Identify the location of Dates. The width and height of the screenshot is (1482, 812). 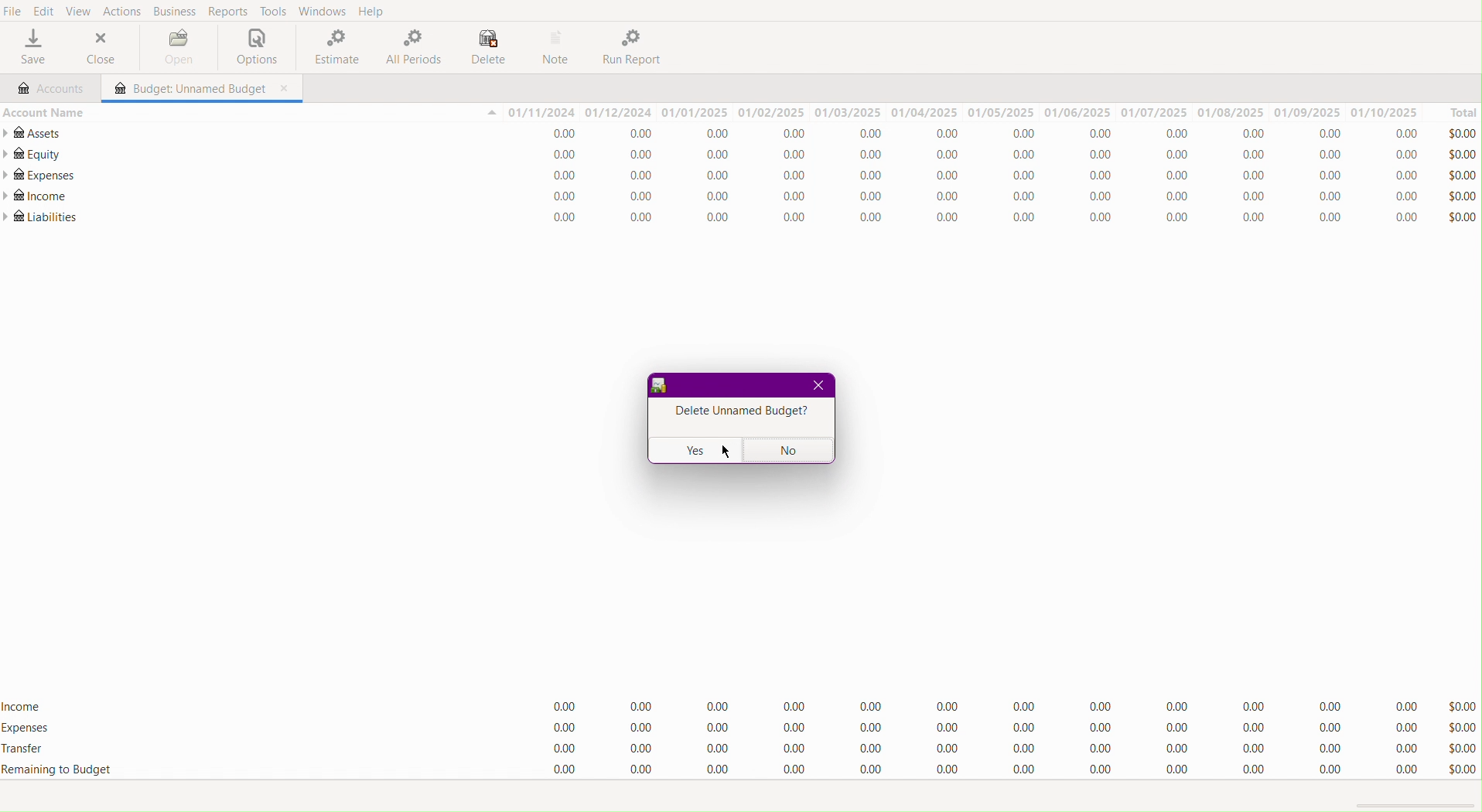
(964, 112).